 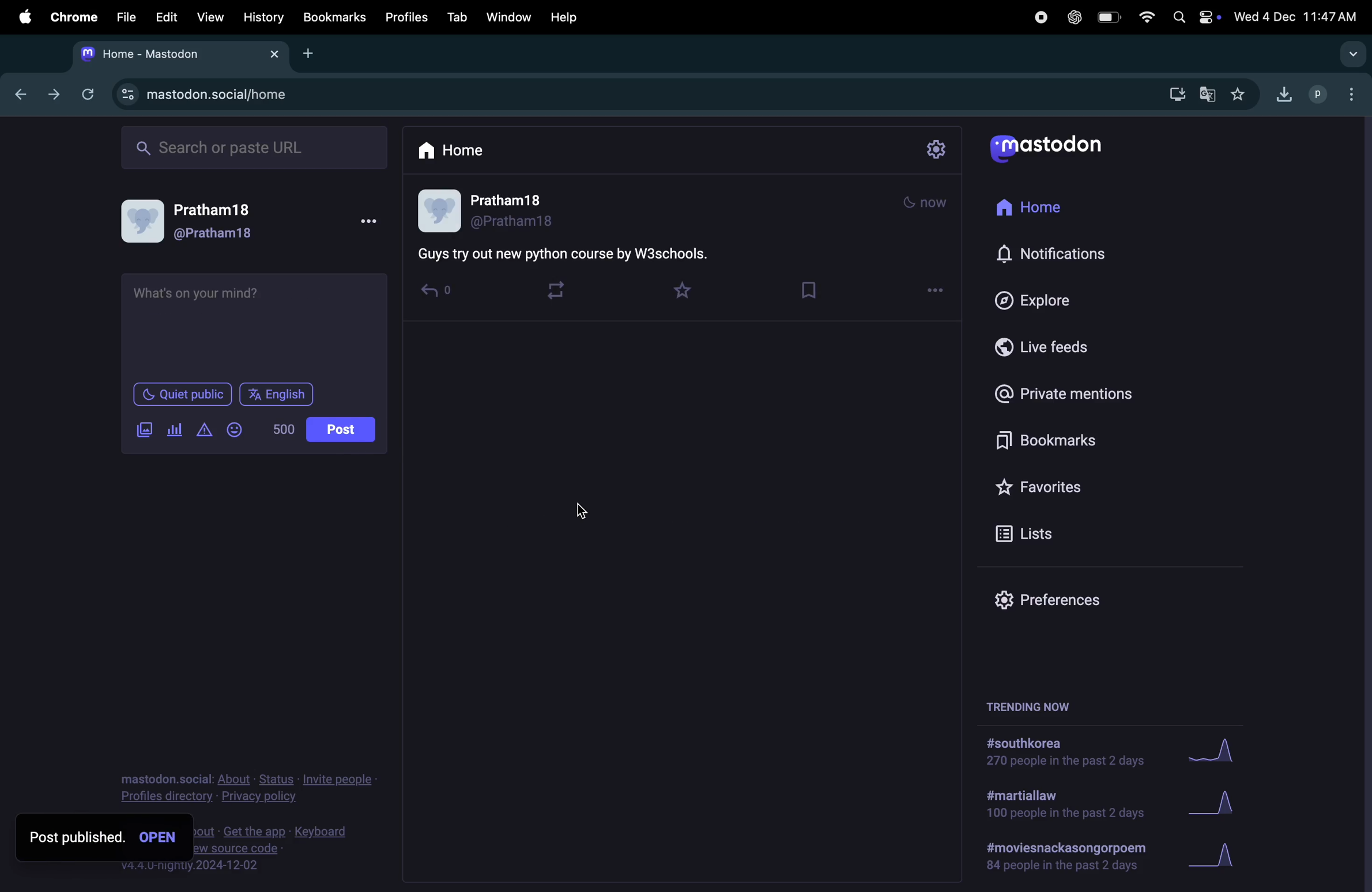 What do you see at coordinates (1051, 255) in the screenshot?
I see `notifications` at bounding box center [1051, 255].